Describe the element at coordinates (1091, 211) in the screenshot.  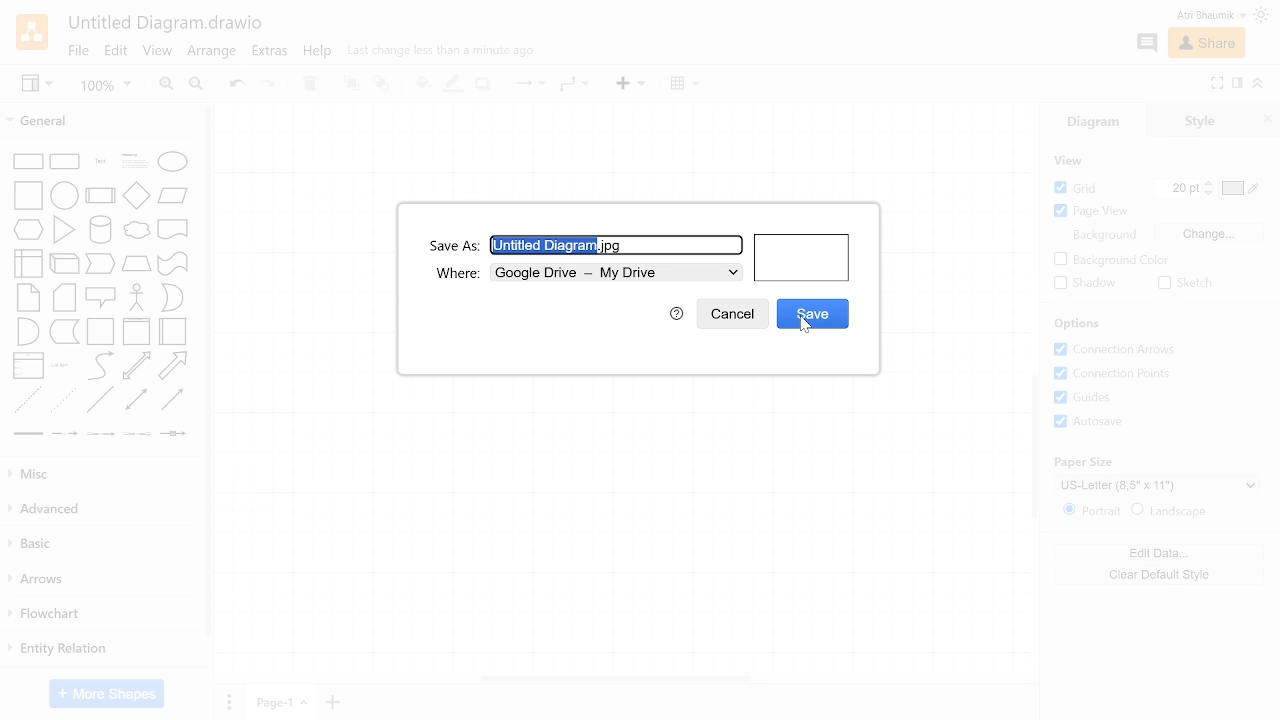
I see `Page view` at that location.